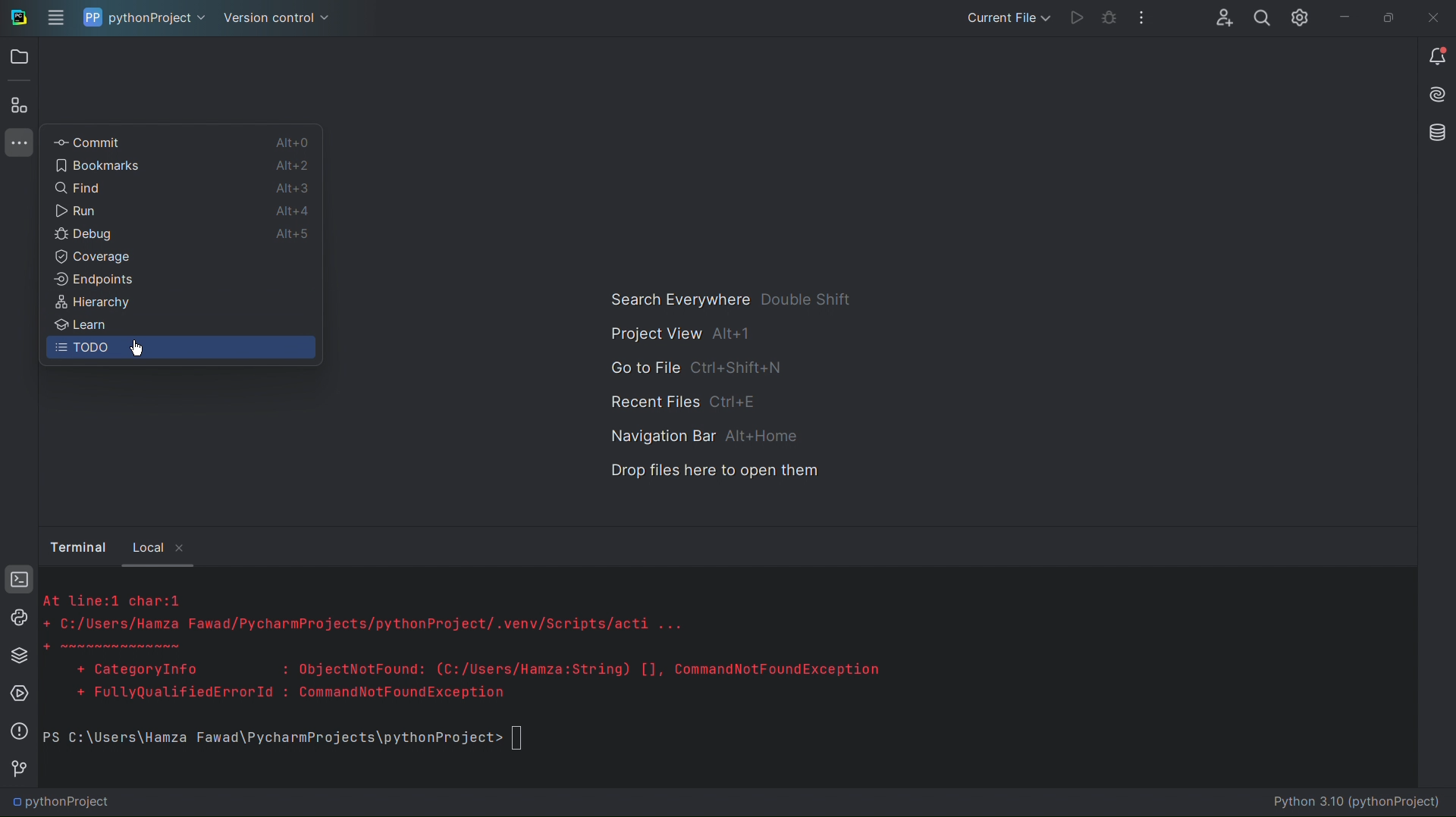 Image resolution: width=1456 pixels, height=817 pixels. What do you see at coordinates (730, 298) in the screenshot?
I see `Search Everywhere` at bounding box center [730, 298].